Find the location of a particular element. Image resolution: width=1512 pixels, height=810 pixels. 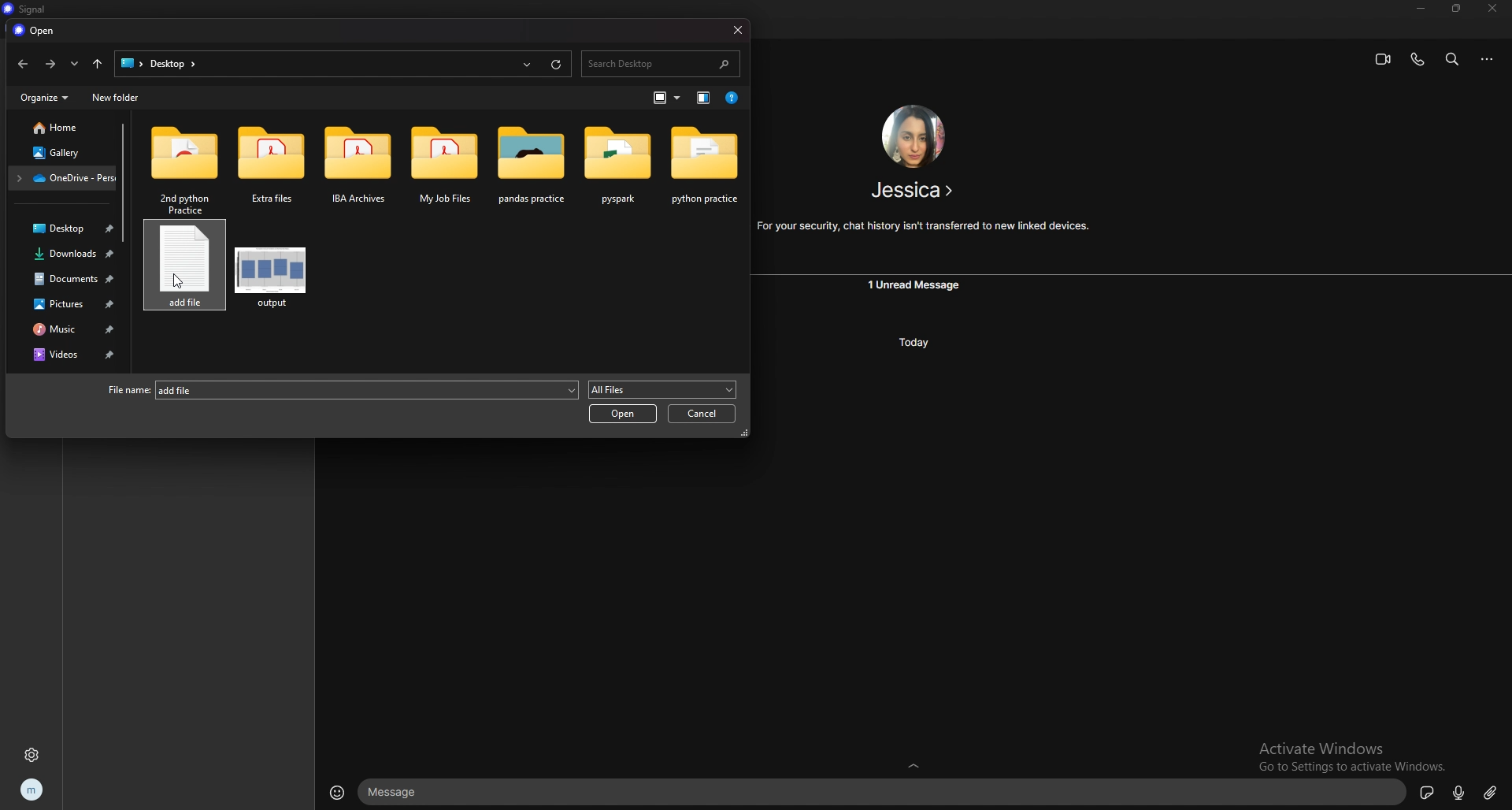

folder is located at coordinates (358, 167).